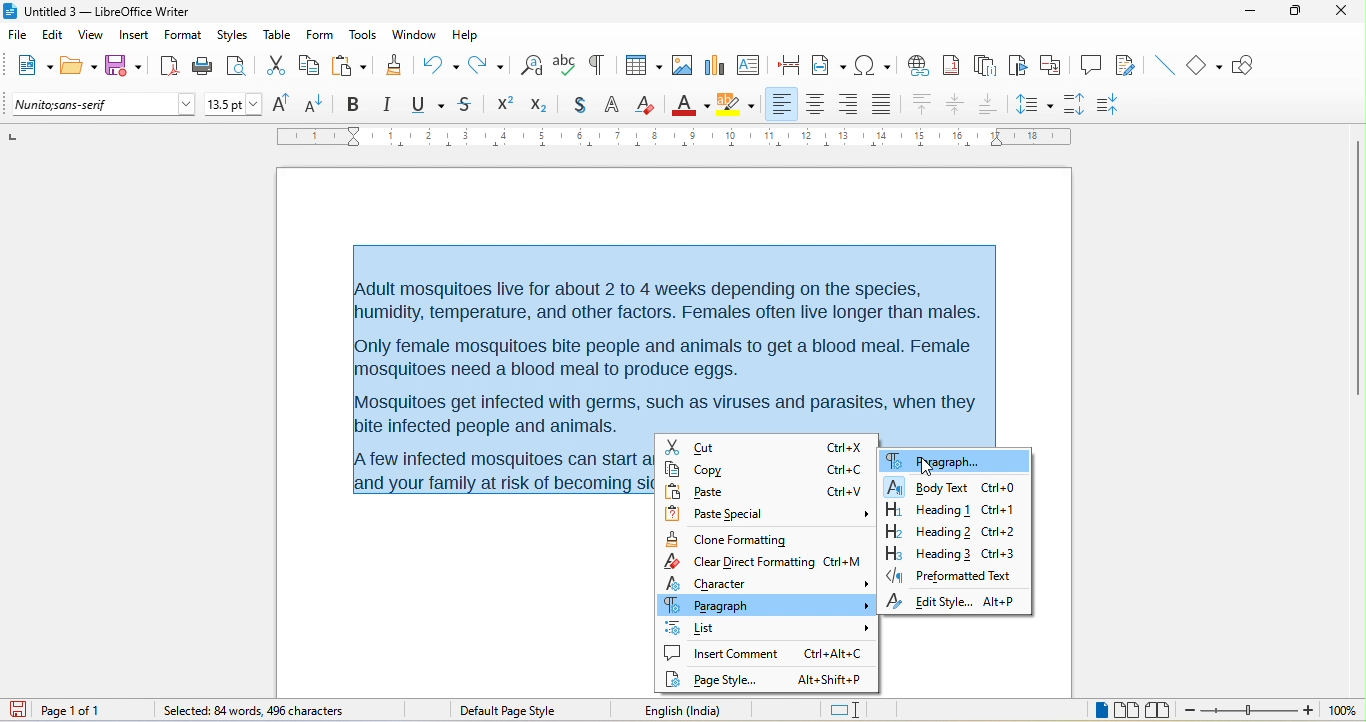  What do you see at coordinates (234, 105) in the screenshot?
I see `font size` at bounding box center [234, 105].